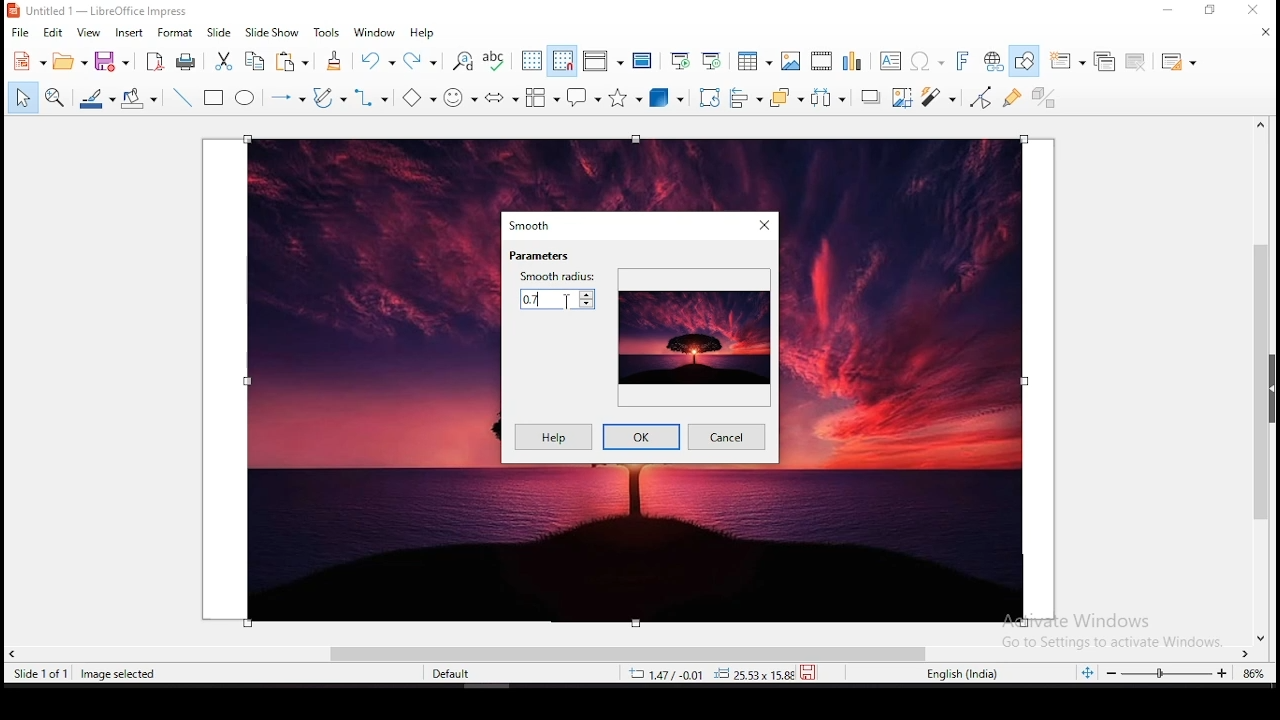  I want to click on insert image, so click(792, 62).